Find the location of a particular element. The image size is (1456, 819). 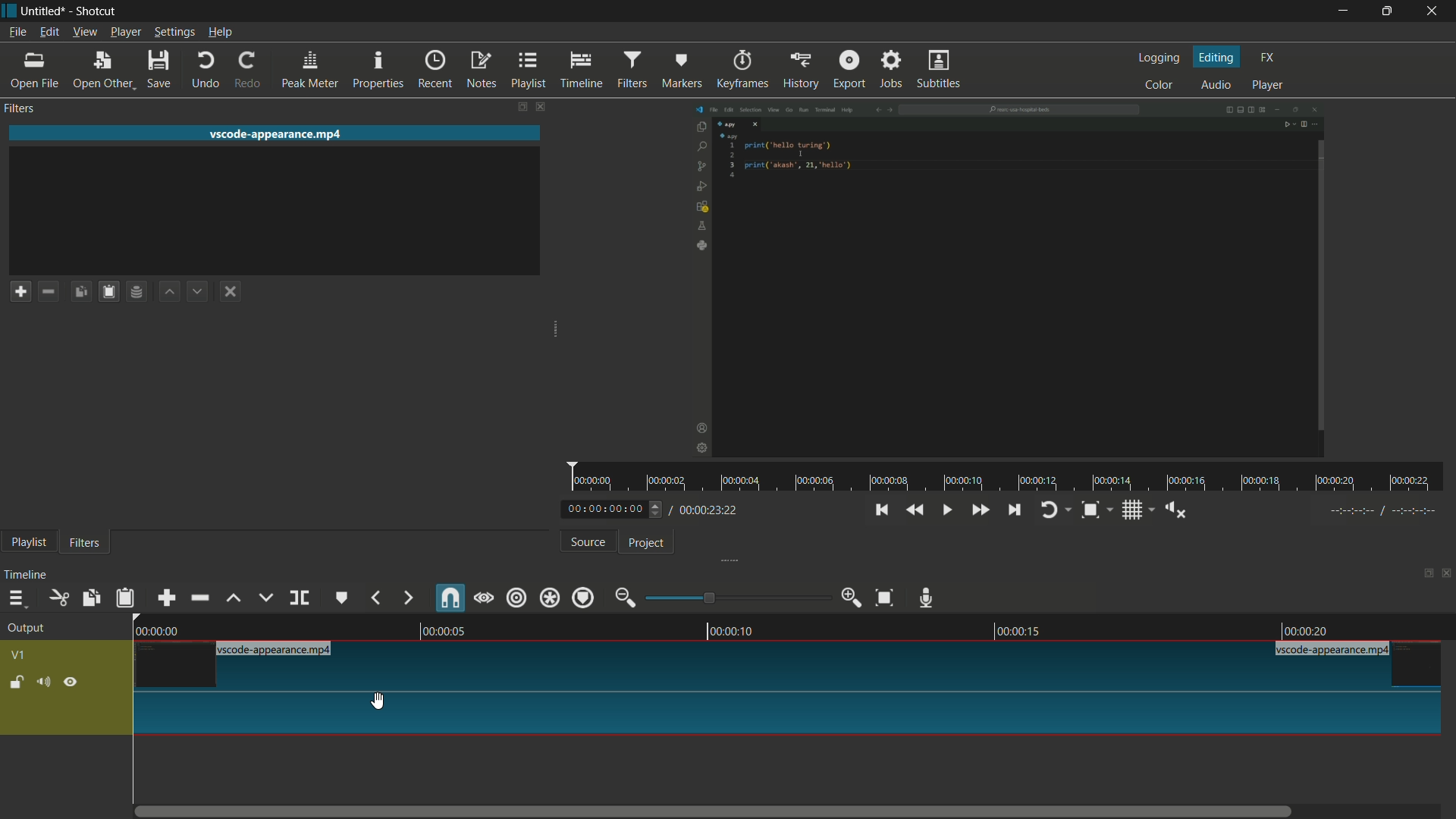

change layout is located at coordinates (1423, 572).